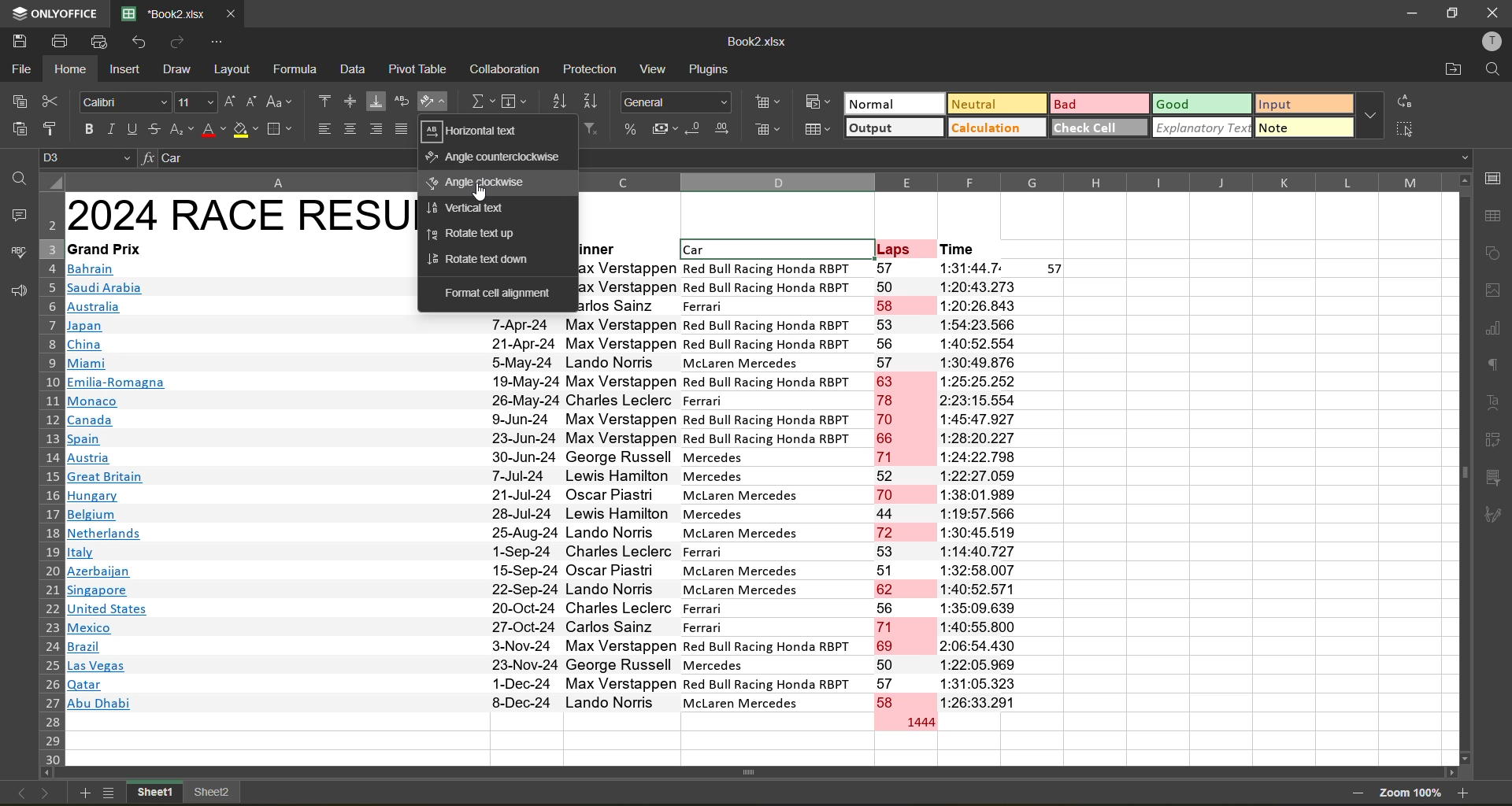 The height and width of the screenshot is (806, 1512). What do you see at coordinates (1410, 130) in the screenshot?
I see `select all` at bounding box center [1410, 130].